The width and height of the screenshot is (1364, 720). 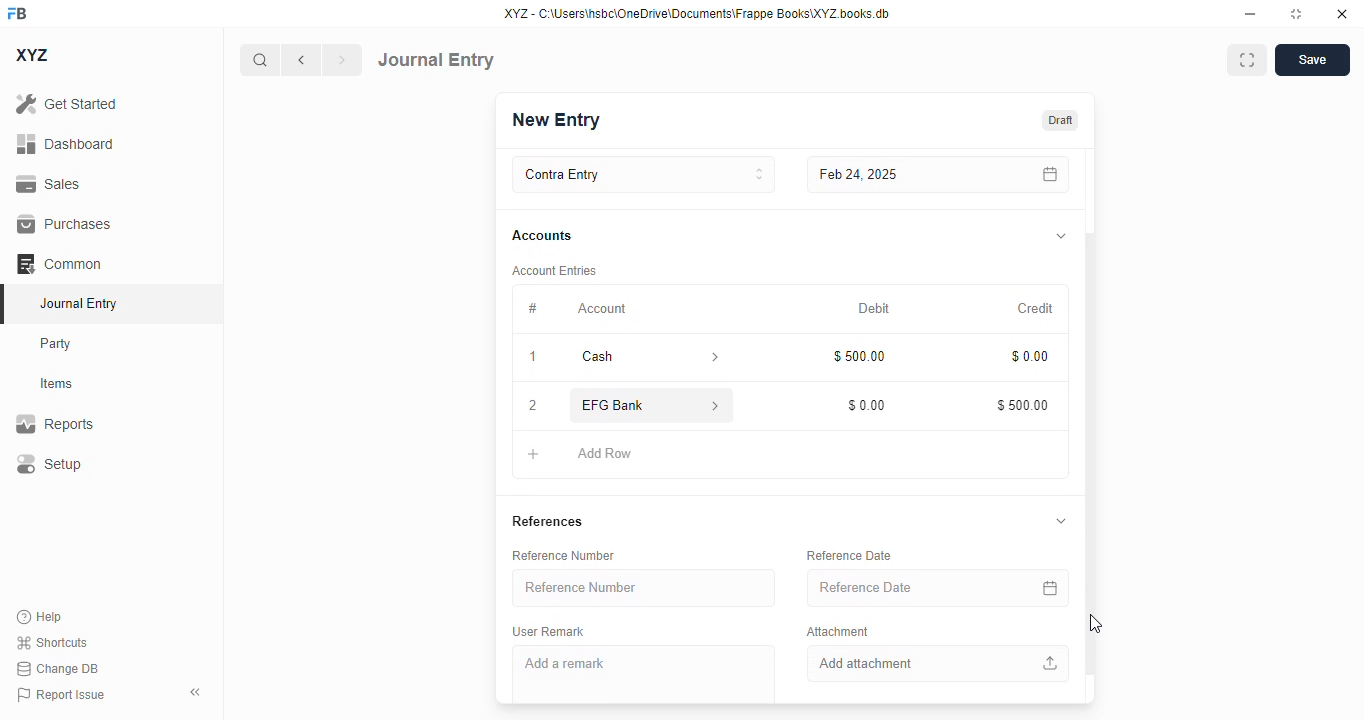 What do you see at coordinates (838, 633) in the screenshot?
I see `attachment` at bounding box center [838, 633].